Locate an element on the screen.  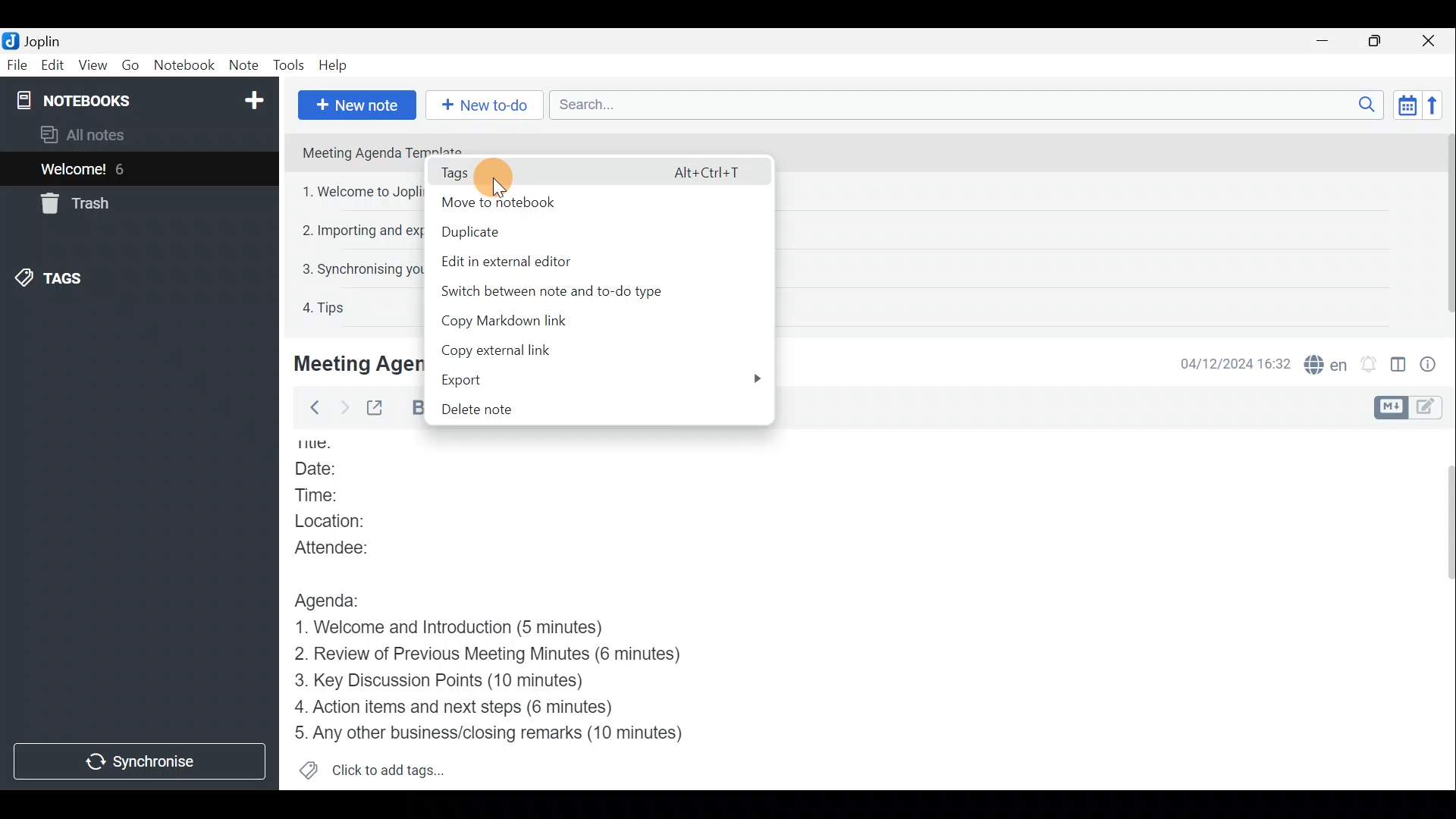
1. Welcome to Joplin! is located at coordinates (362, 191).